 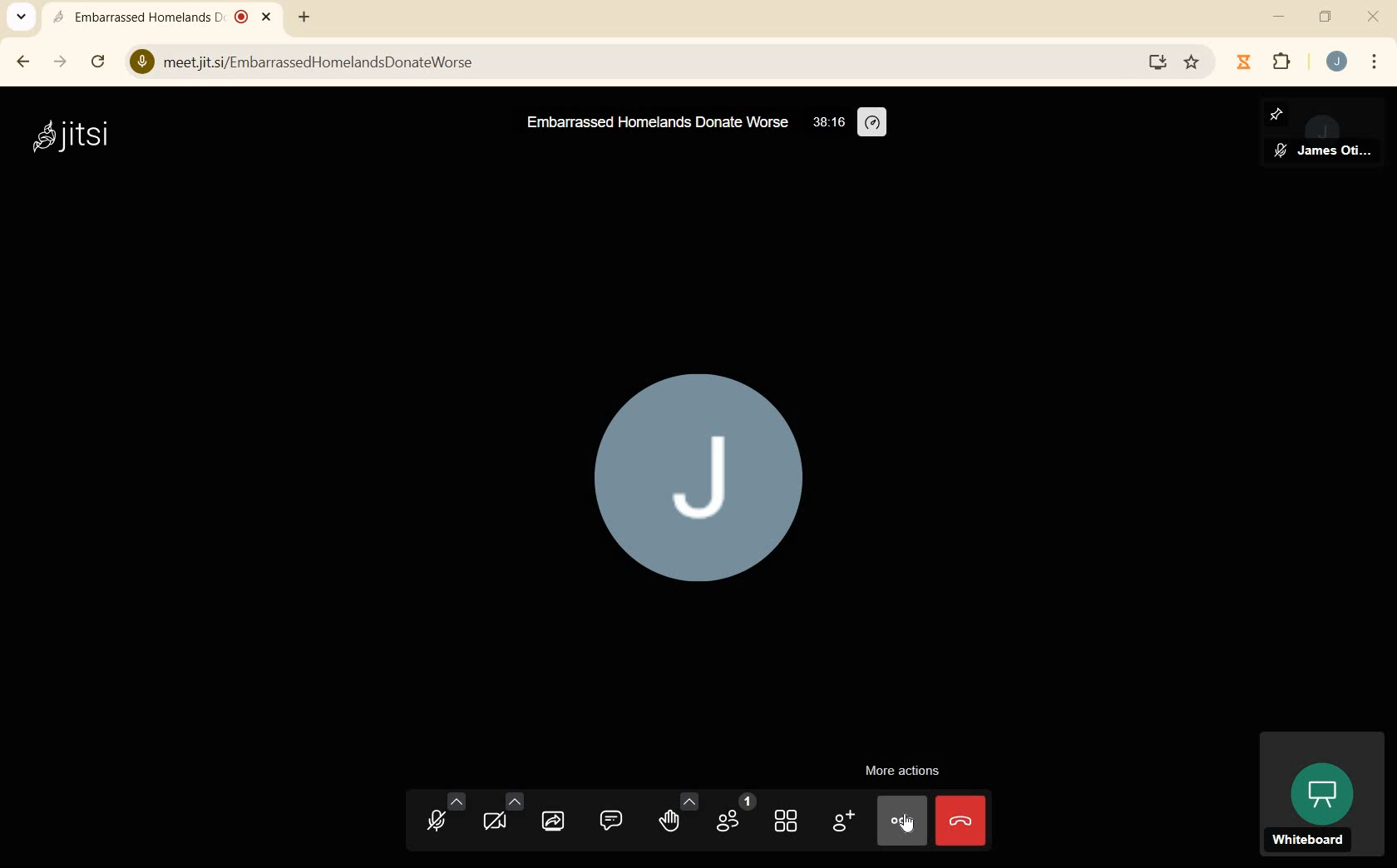 What do you see at coordinates (303, 17) in the screenshot?
I see `new tab` at bounding box center [303, 17].